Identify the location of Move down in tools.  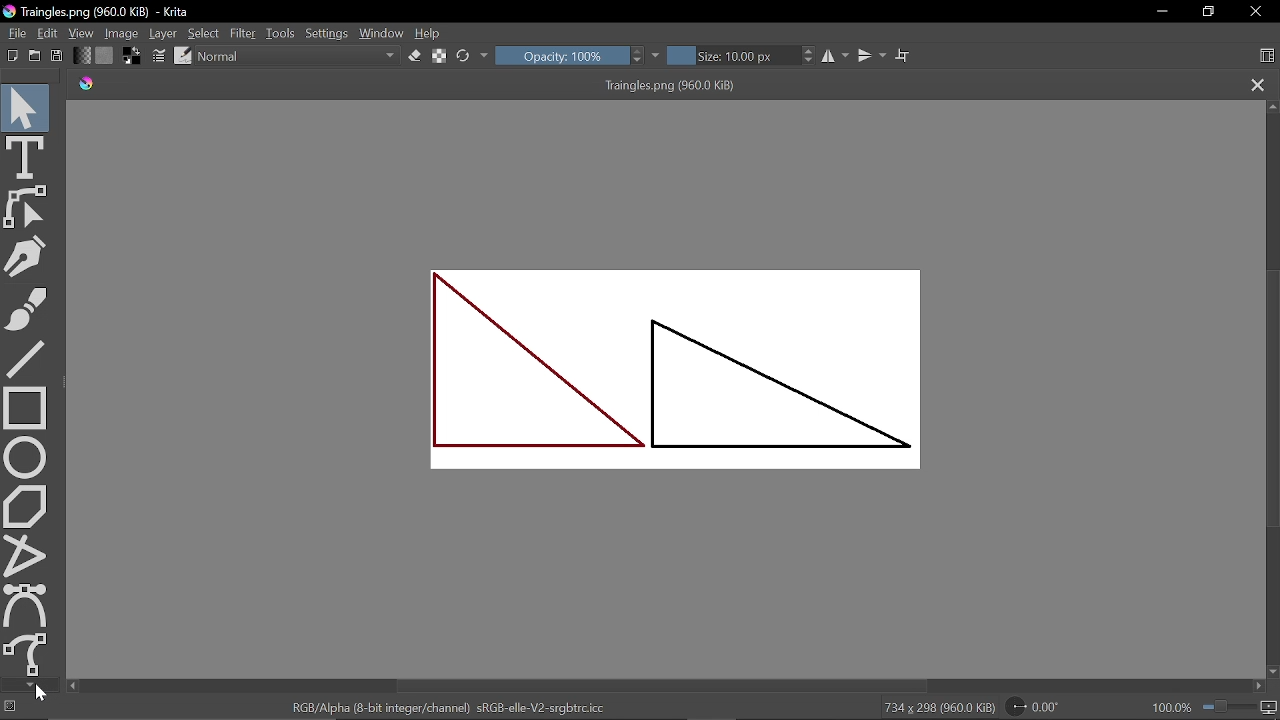
(29, 685).